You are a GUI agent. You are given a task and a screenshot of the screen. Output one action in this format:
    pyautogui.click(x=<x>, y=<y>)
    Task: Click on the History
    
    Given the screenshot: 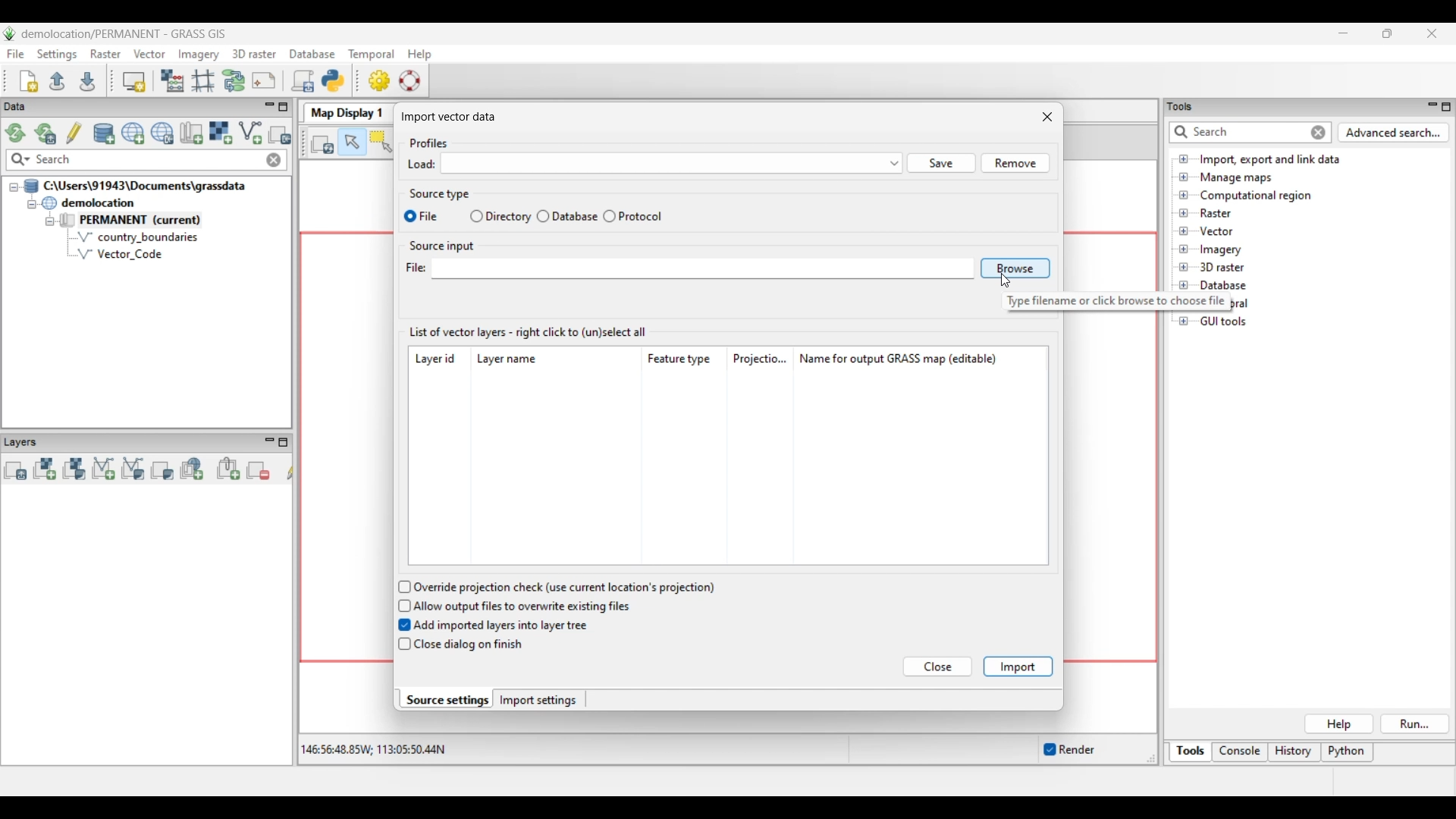 What is the action you would take?
    pyautogui.click(x=1294, y=752)
    